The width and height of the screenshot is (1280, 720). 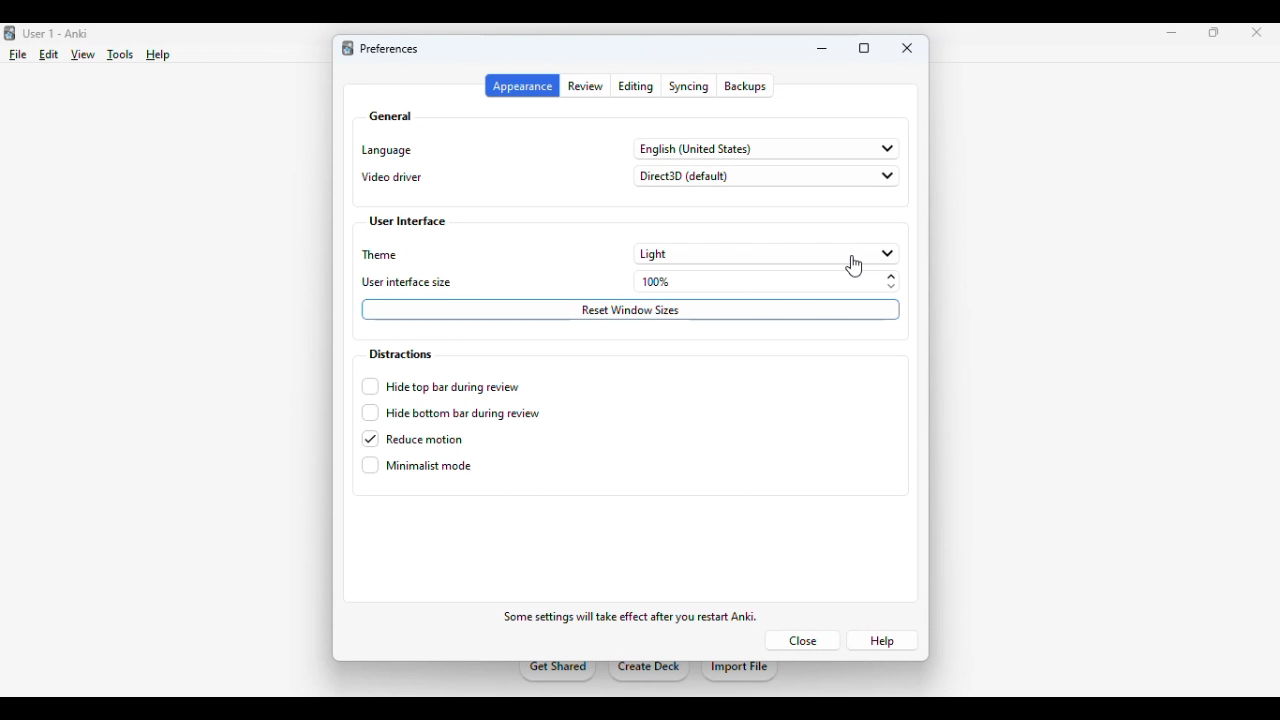 I want to click on view, so click(x=82, y=56).